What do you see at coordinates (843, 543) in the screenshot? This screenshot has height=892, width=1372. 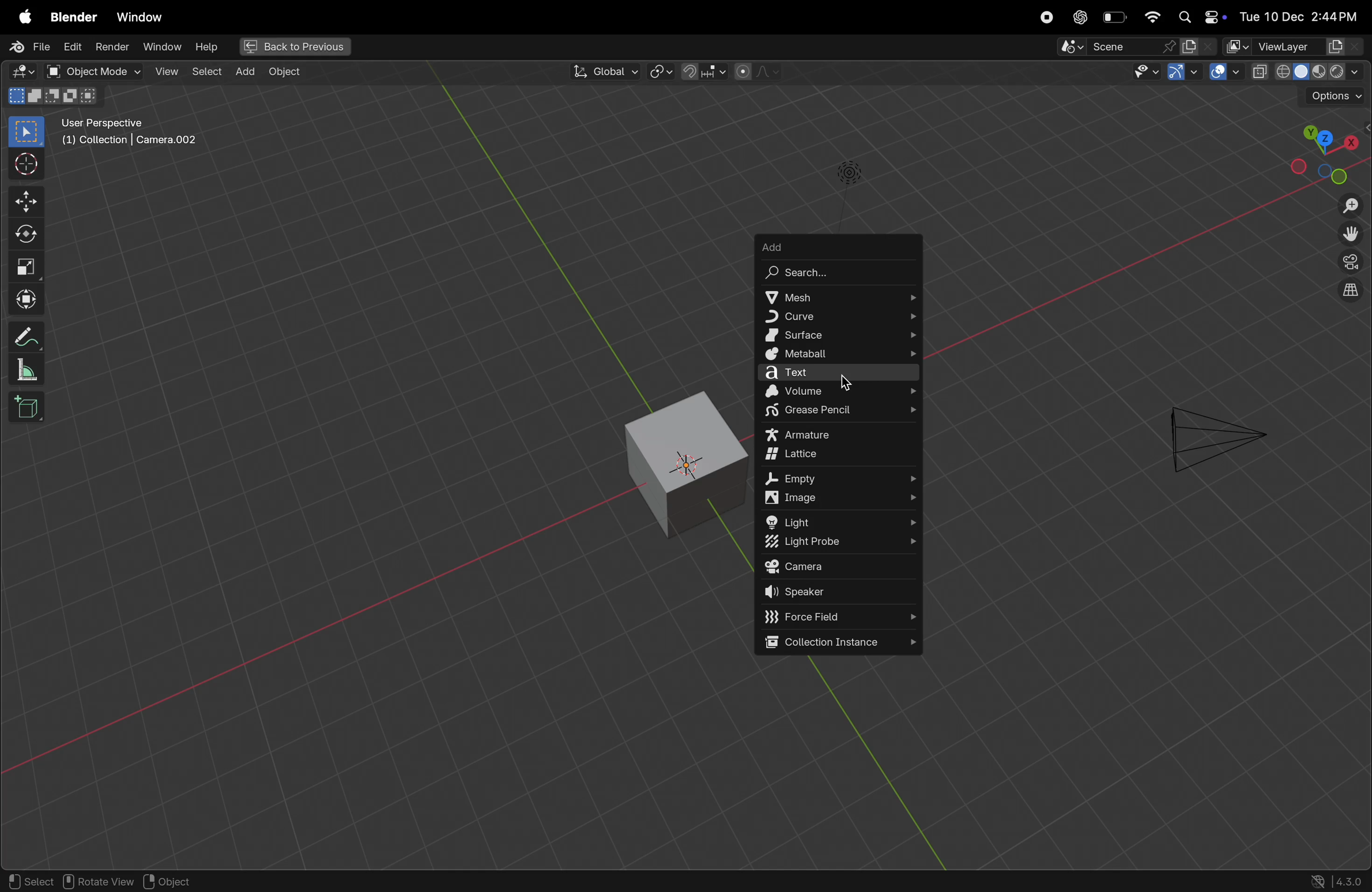 I see `light probe` at bounding box center [843, 543].